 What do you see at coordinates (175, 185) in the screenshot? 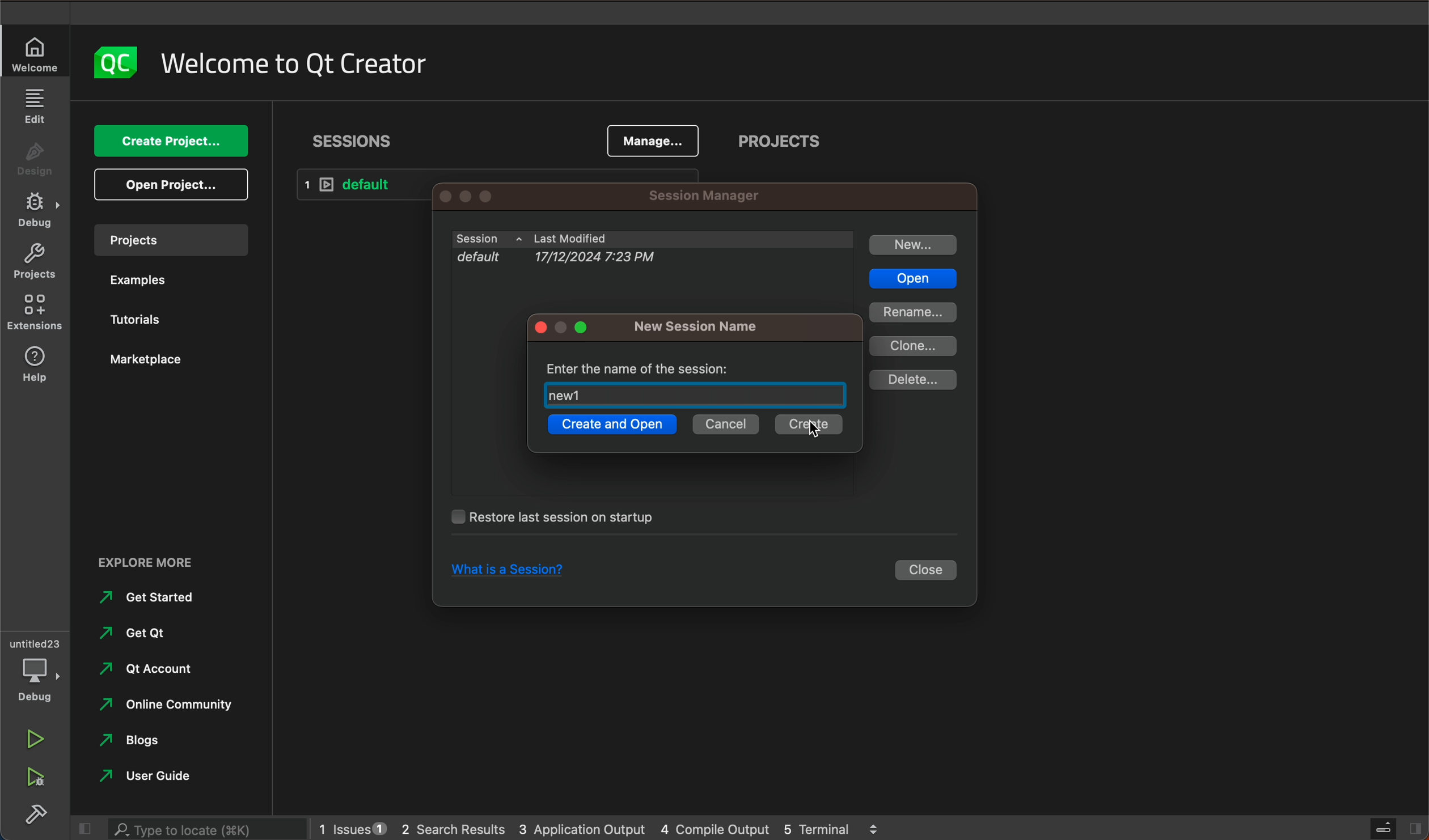
I see `open project` at bounding box center [175, 185].